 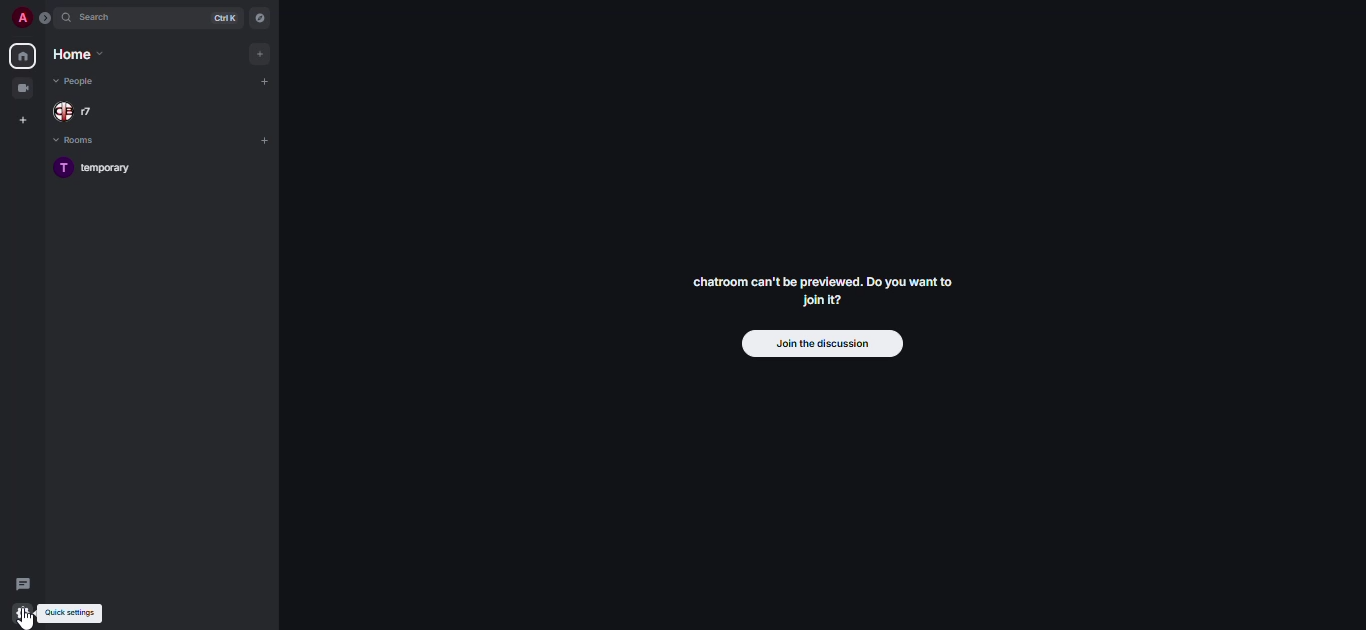 I want to click on ctrl K, so click(x=220, y=18).